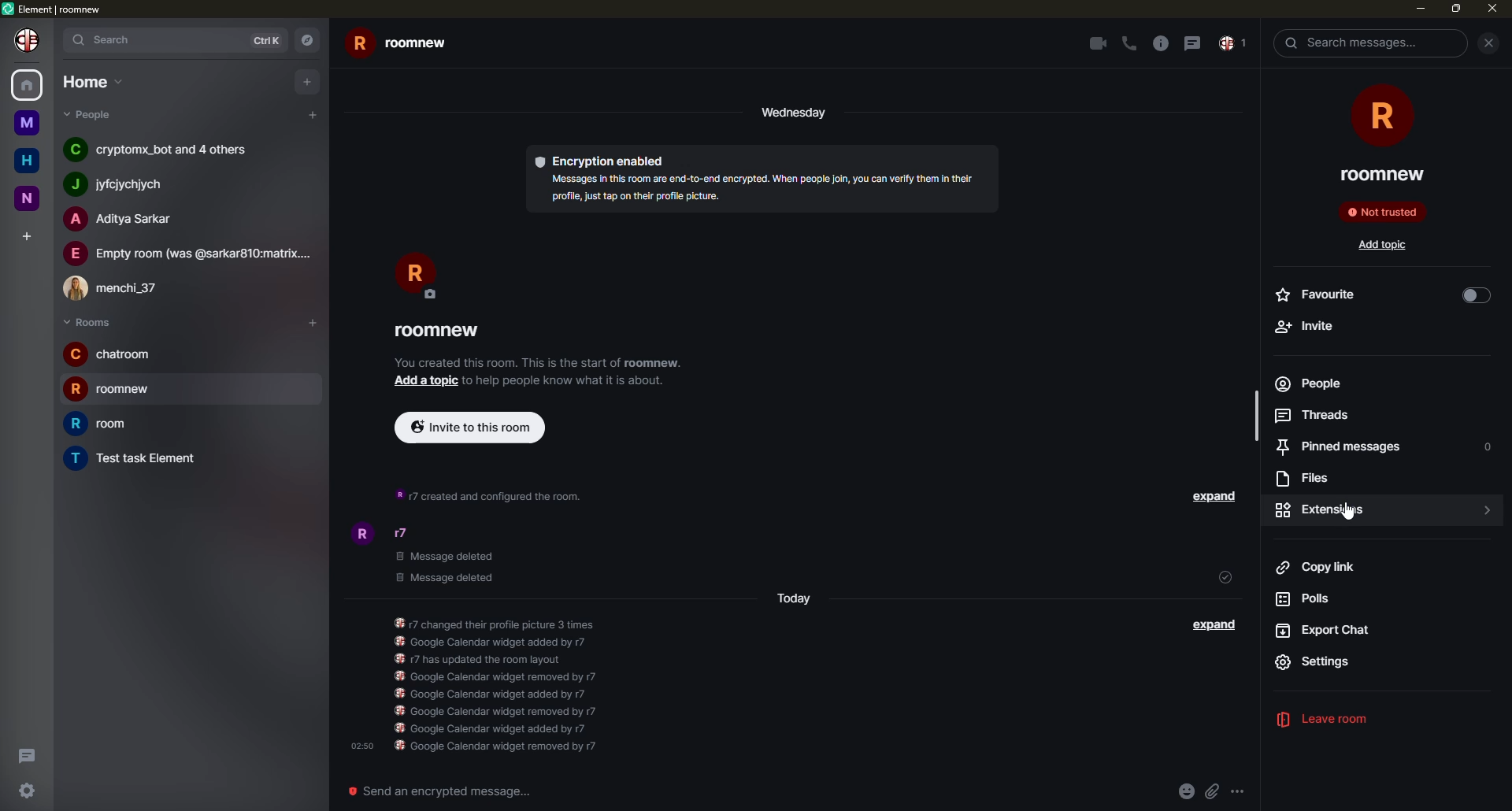  Describe the element at coordinates (1307, 327) in the screenshot. I see `+ Invite` at that location.